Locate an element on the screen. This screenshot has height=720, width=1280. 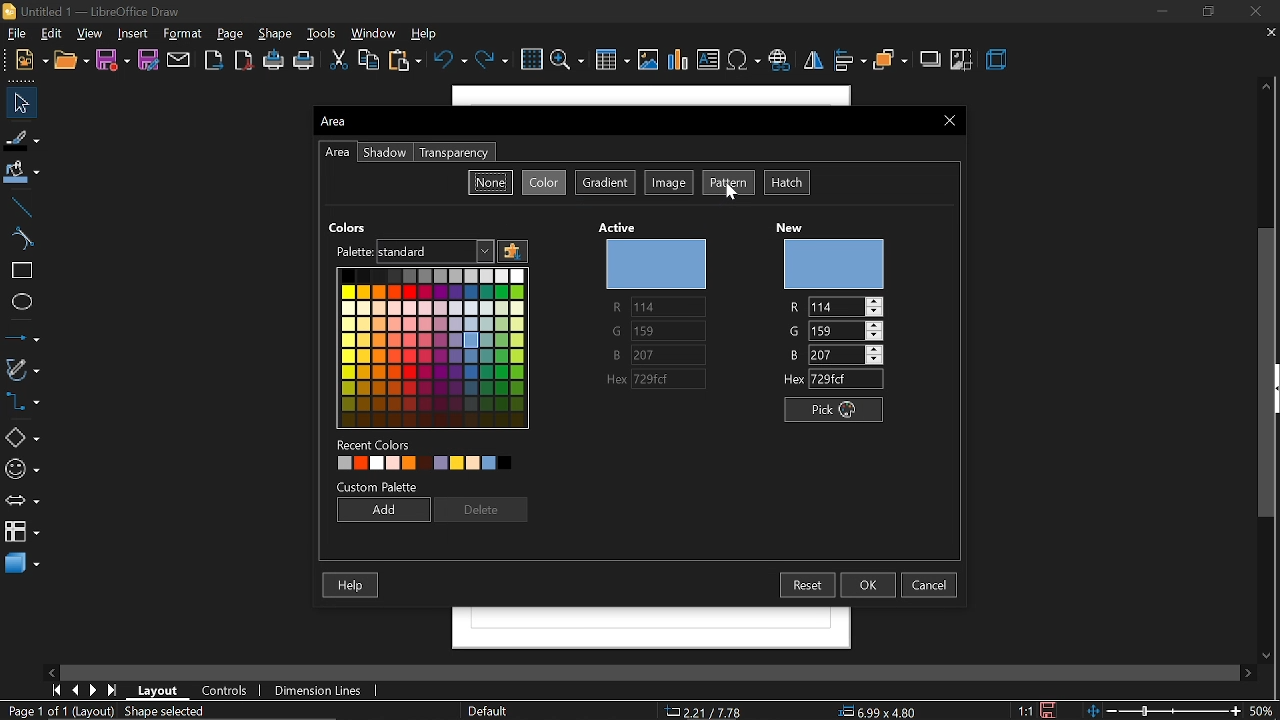
shape is located at coordinates (276, 34).